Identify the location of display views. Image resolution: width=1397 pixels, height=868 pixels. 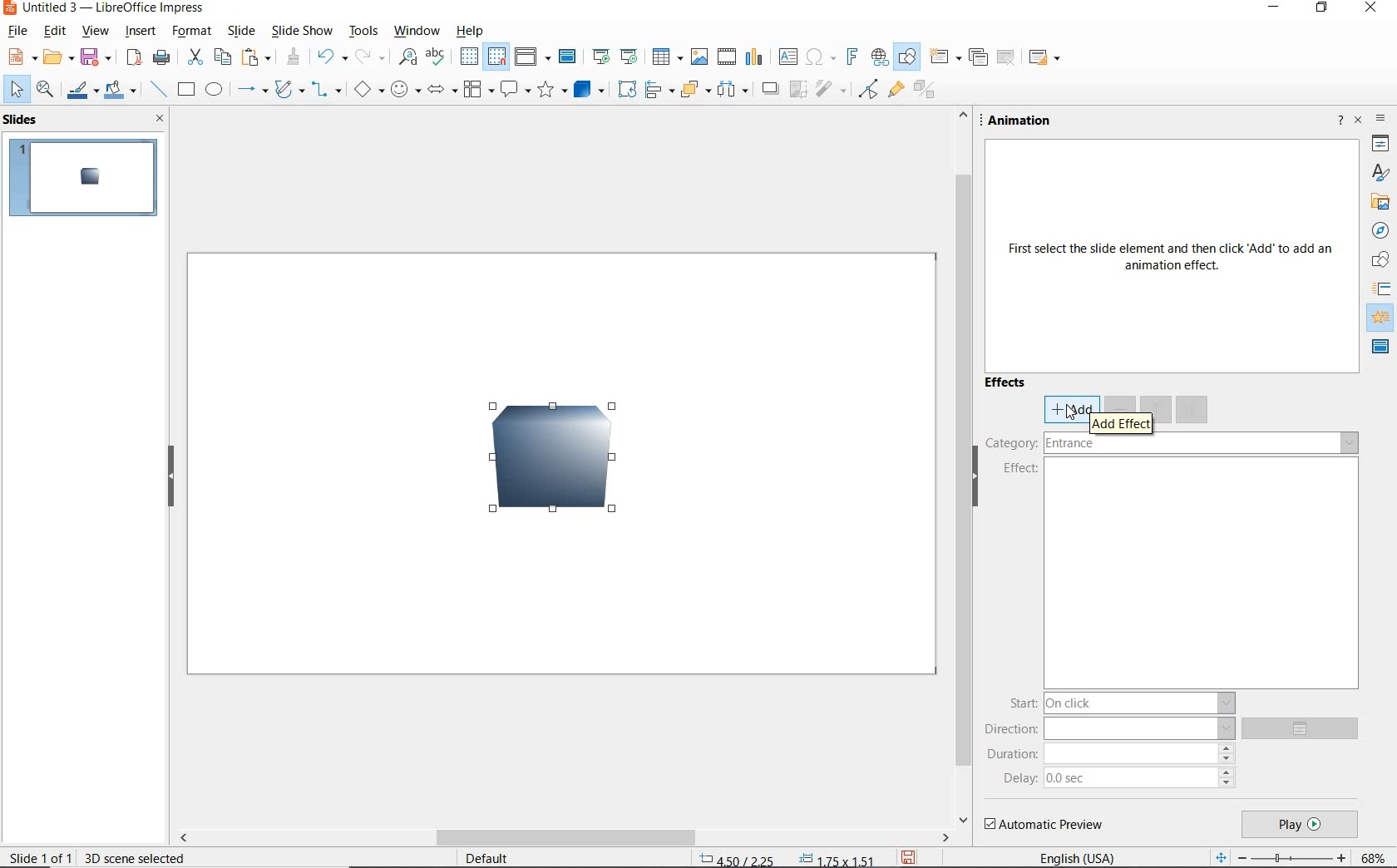
(533, 57).